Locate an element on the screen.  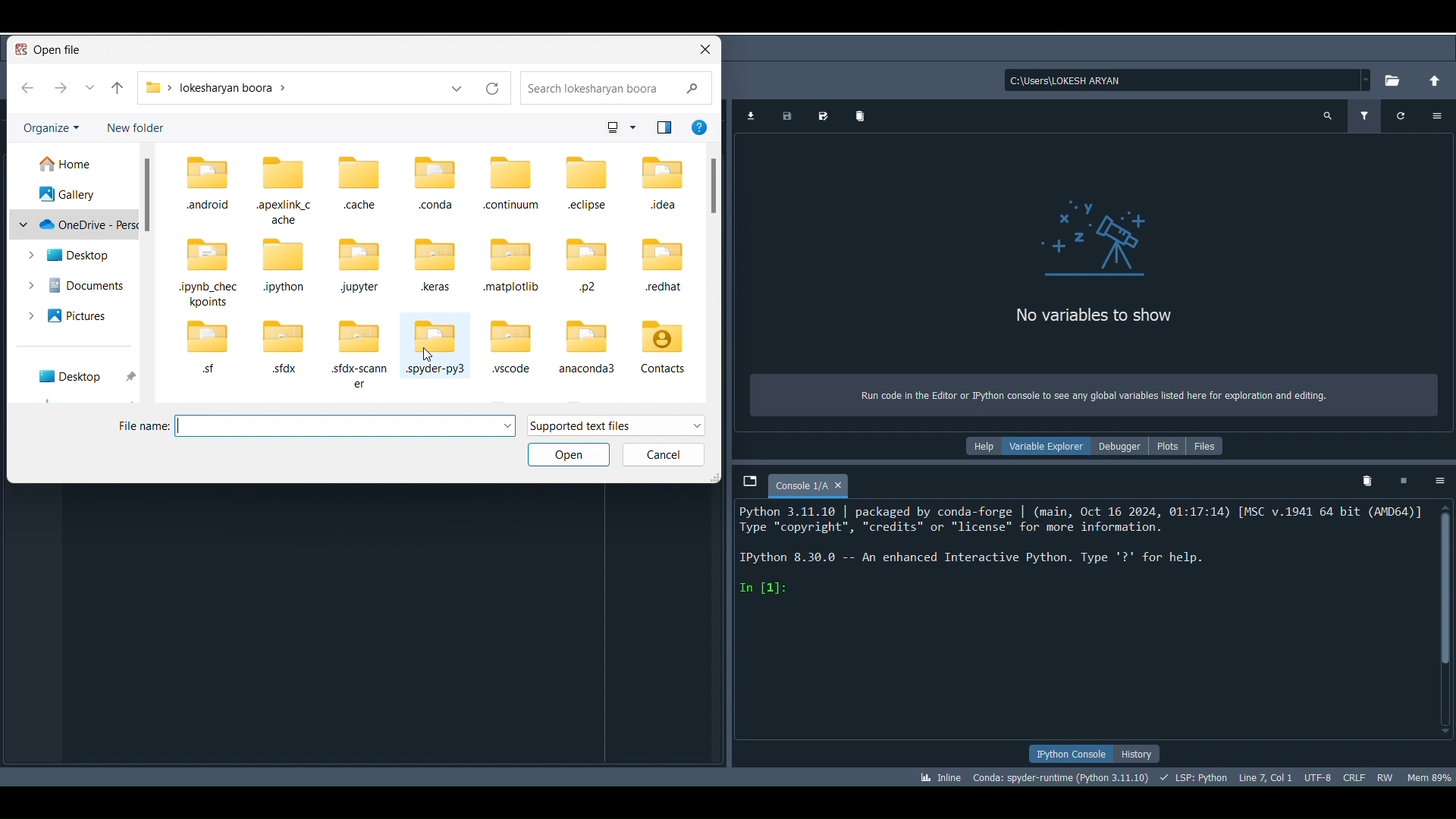
close is located at coordinates (707, 47).